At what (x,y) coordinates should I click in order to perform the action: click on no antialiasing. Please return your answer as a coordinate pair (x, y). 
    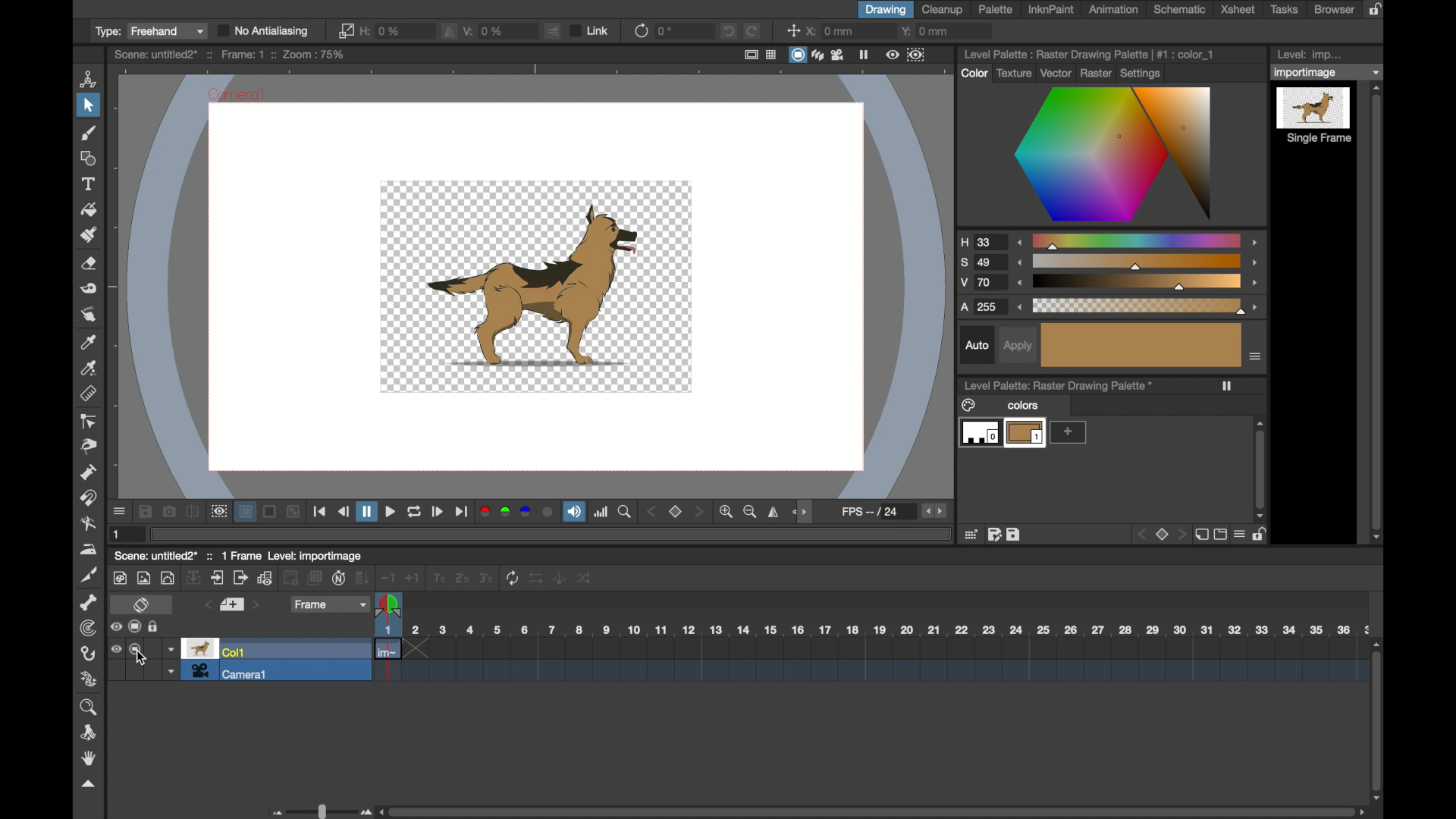
    Looking at the image, I should click on (264, 31).